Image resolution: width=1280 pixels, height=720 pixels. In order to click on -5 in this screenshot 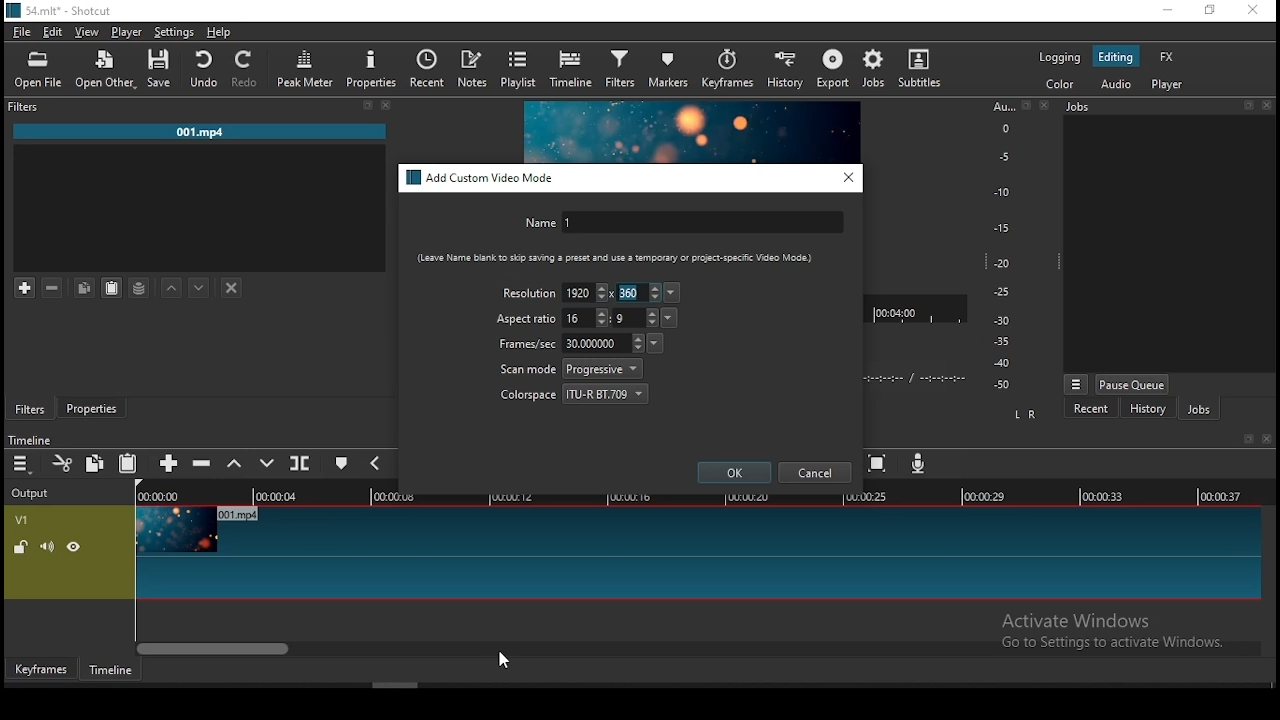, I will do `click(1002, 155)`.